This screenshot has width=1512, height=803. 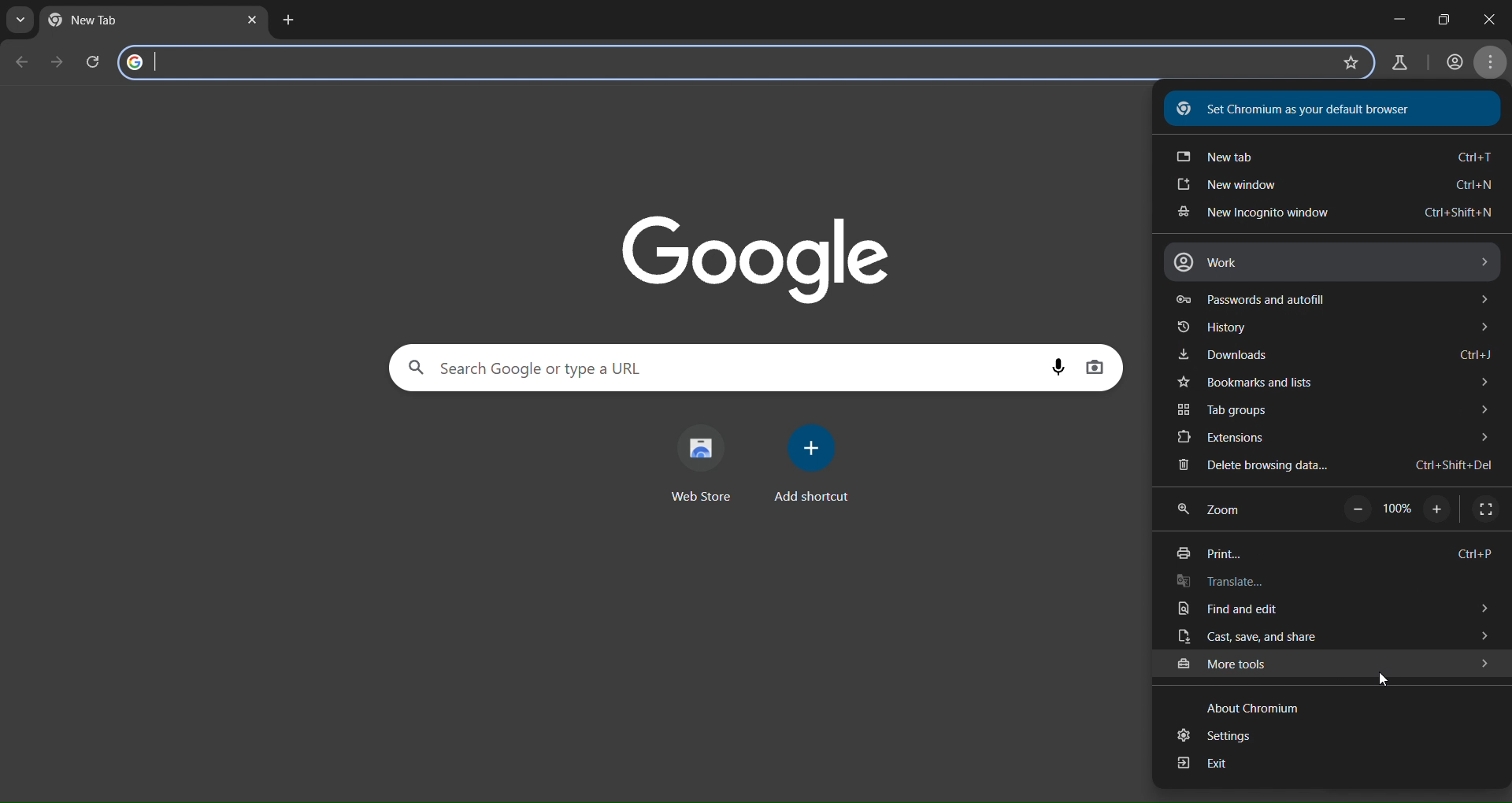 What do you see at coordinates (1320, 109) in the screenshot?
I see `Set Chromium as your default browser` at bounding box center [1320, 109].